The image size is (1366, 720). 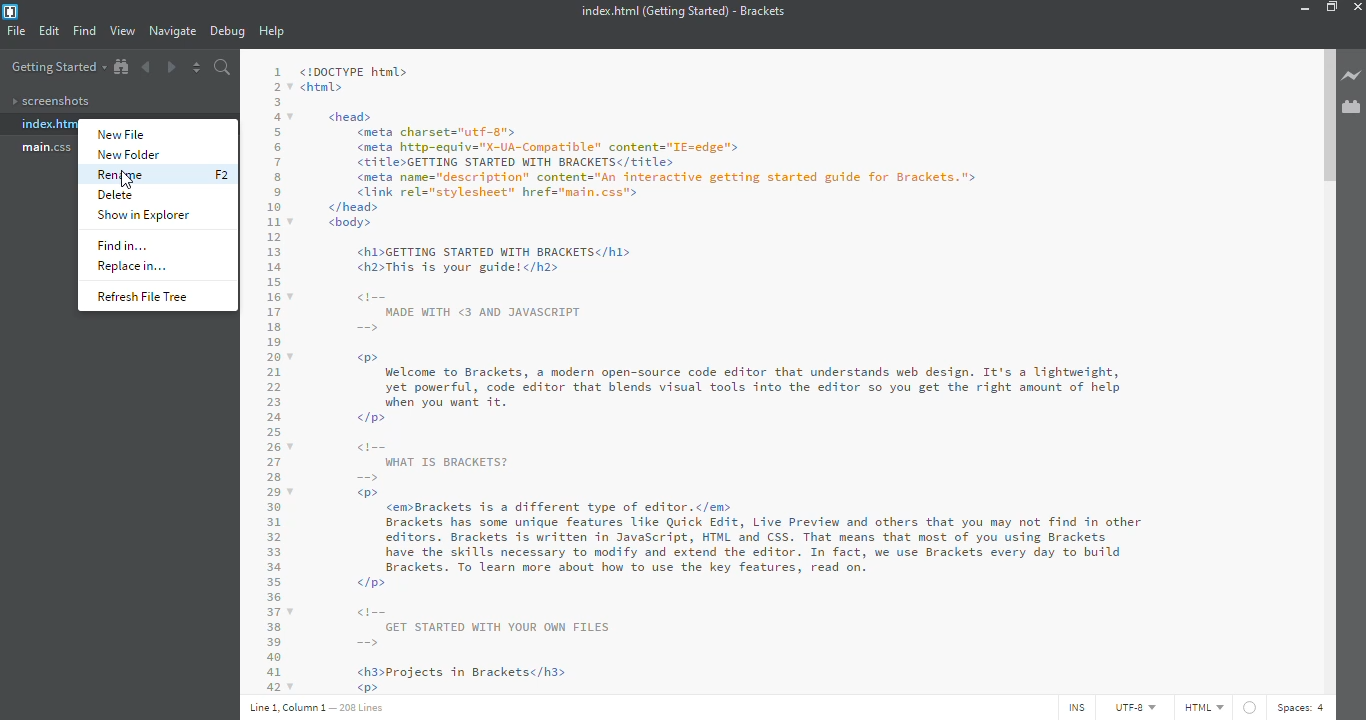 I want to click on find in, so click(x=127, y=246).